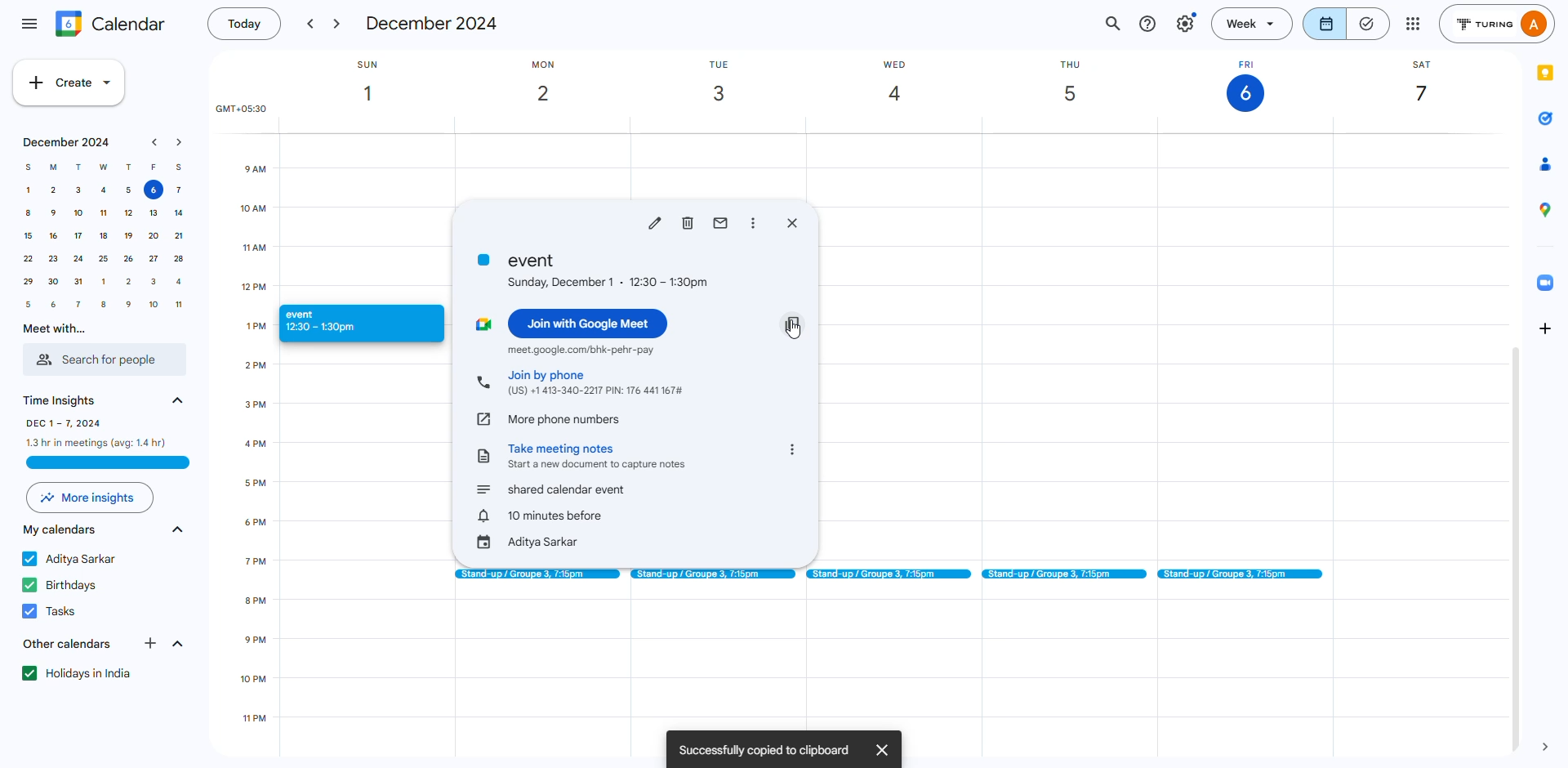  Describe the element at coordinates (1347, 23) in the screenshot. I see `view` at that location.